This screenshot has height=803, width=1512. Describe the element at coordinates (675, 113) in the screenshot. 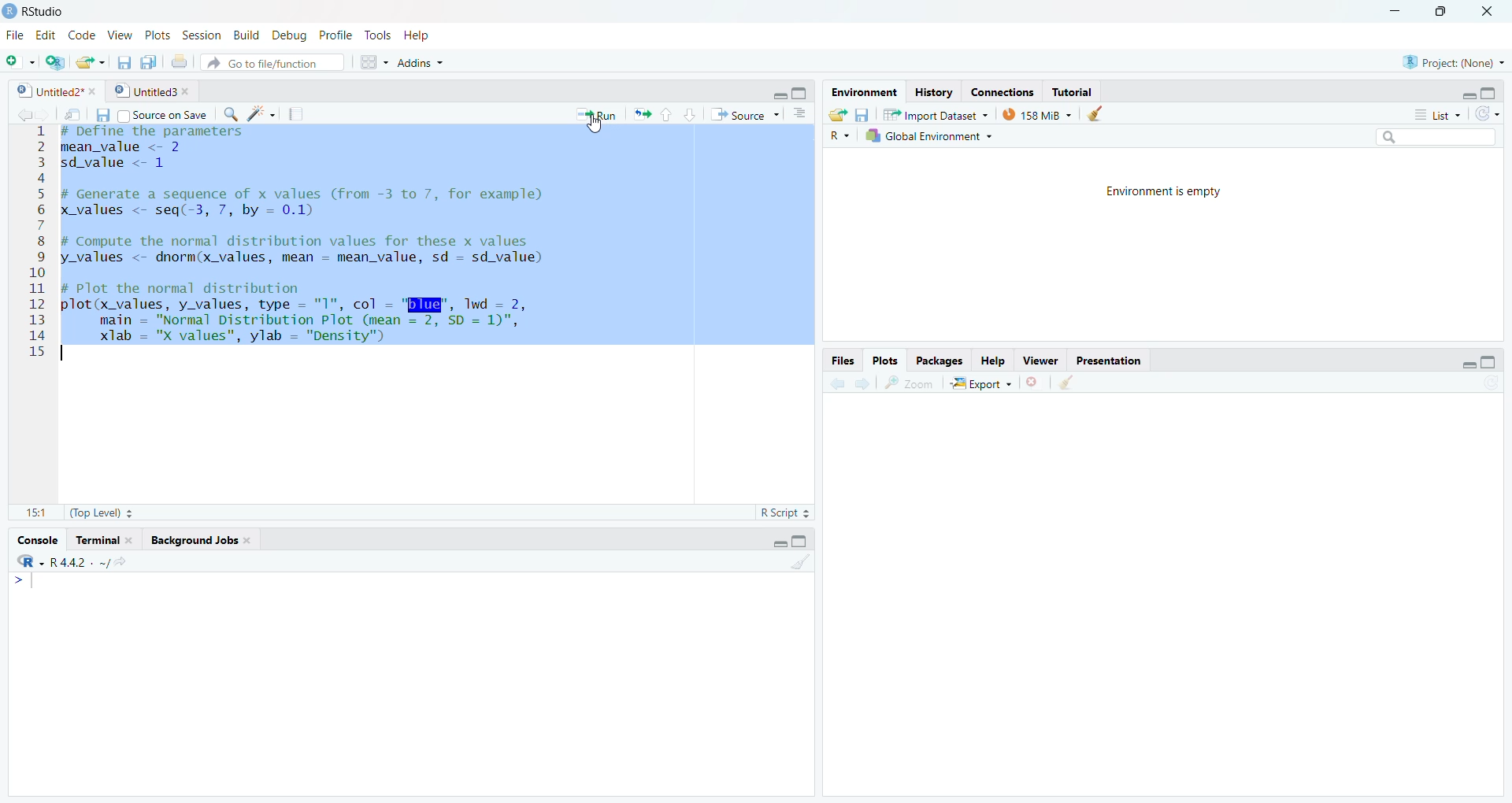

I see `` at that location.